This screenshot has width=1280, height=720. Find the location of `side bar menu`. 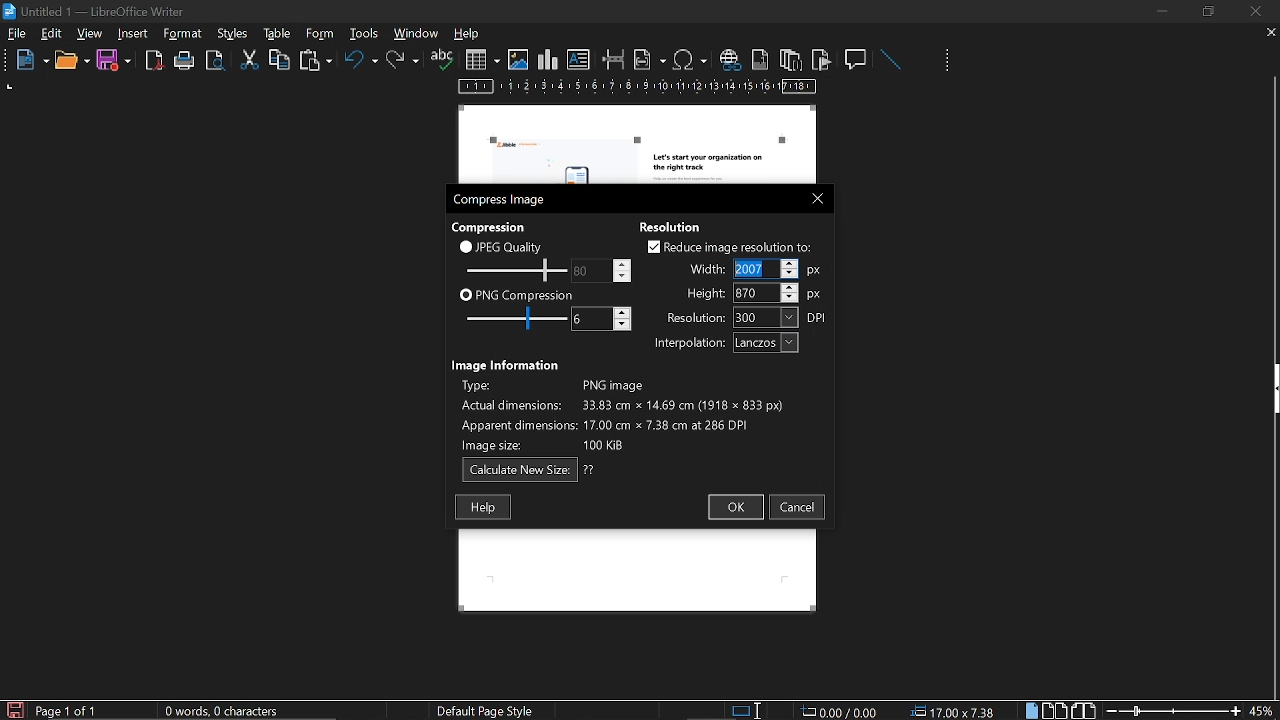

side bar menu is located at coordinates (1272, 389).